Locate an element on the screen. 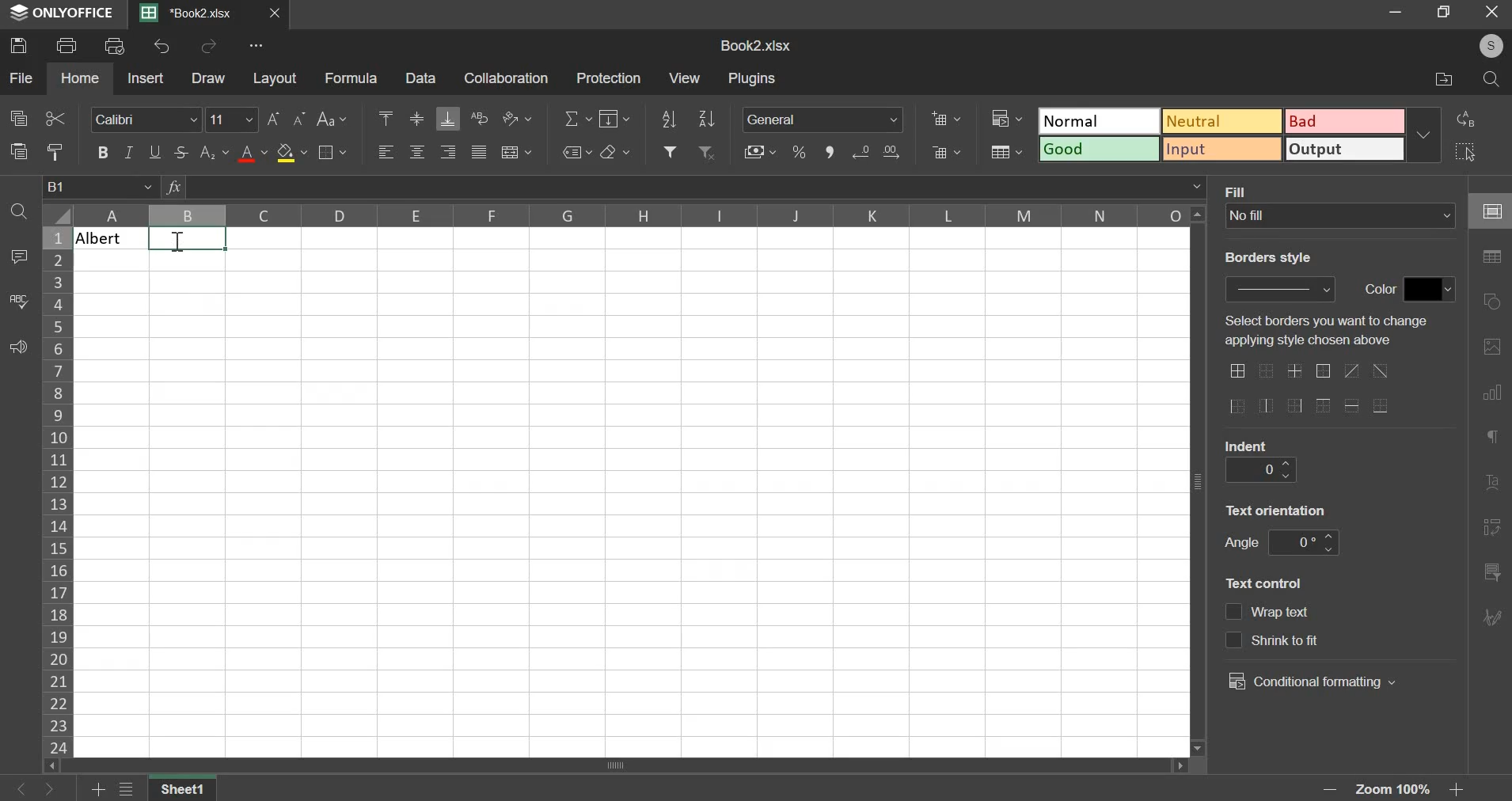  paste is located at coordinates (18, 150).